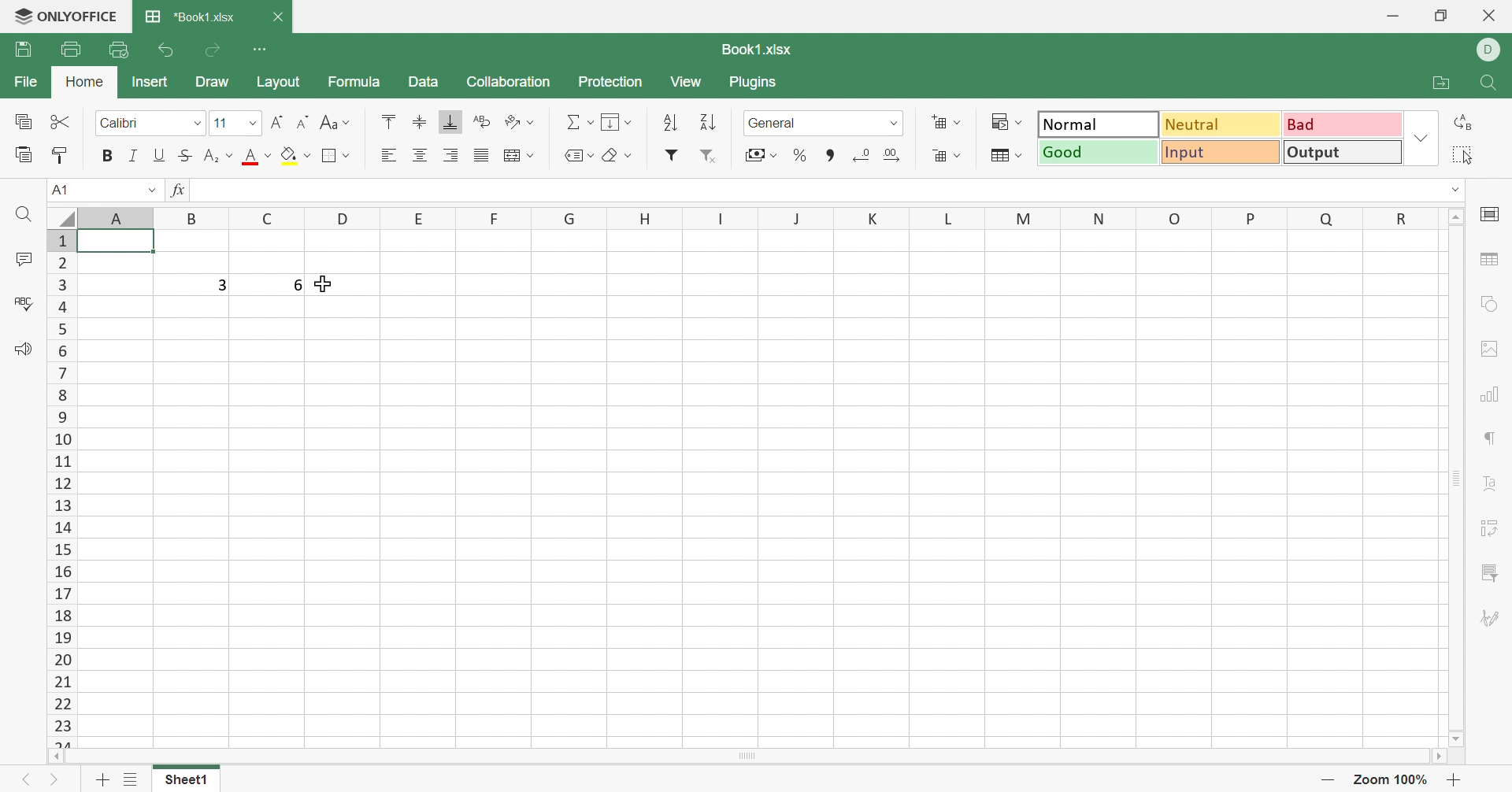  Describe the element at coordinates (618, 124) in the screenshot. I see `Fill` at that location.